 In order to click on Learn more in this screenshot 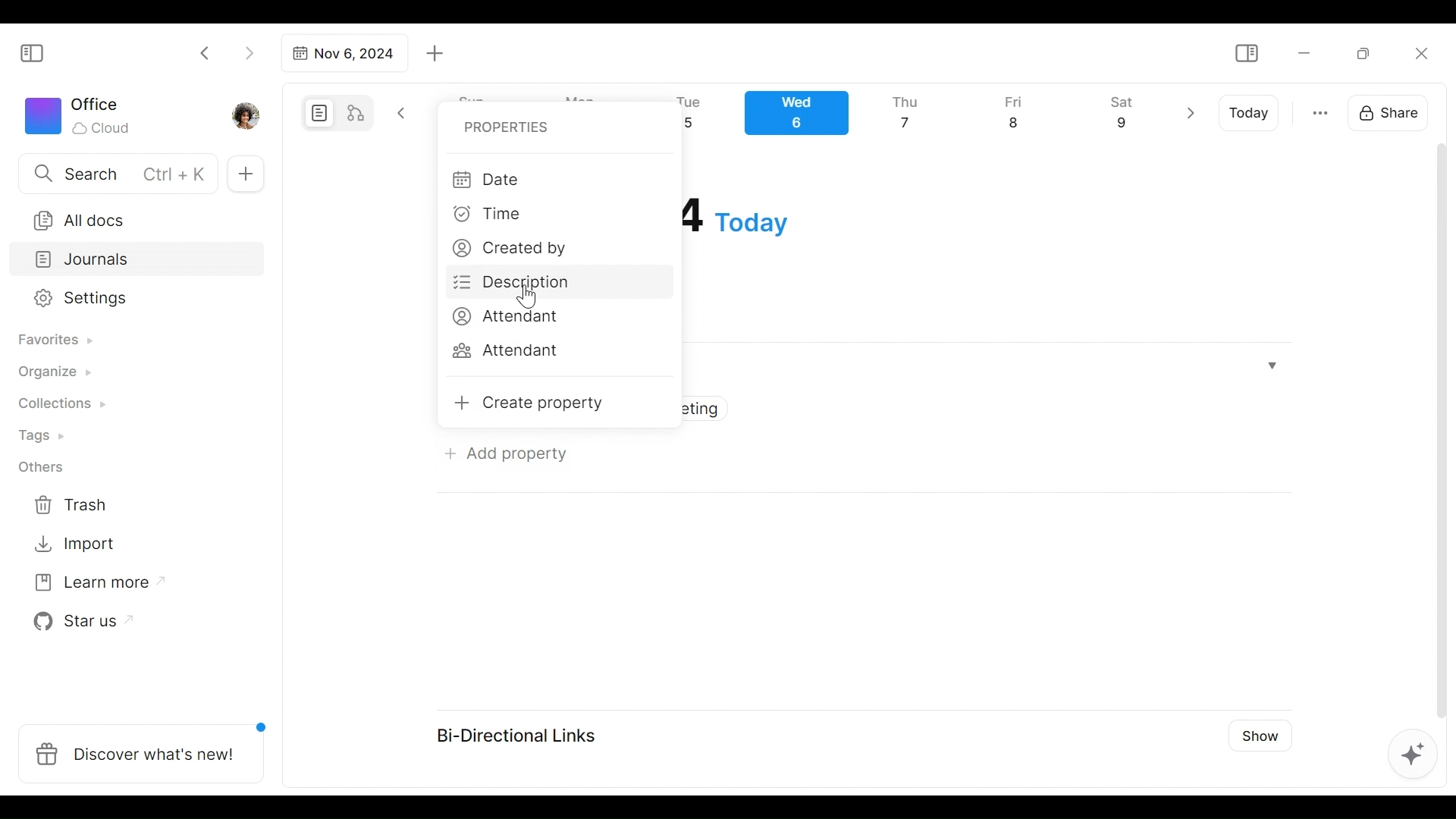, I will do `click(92, 585)`.